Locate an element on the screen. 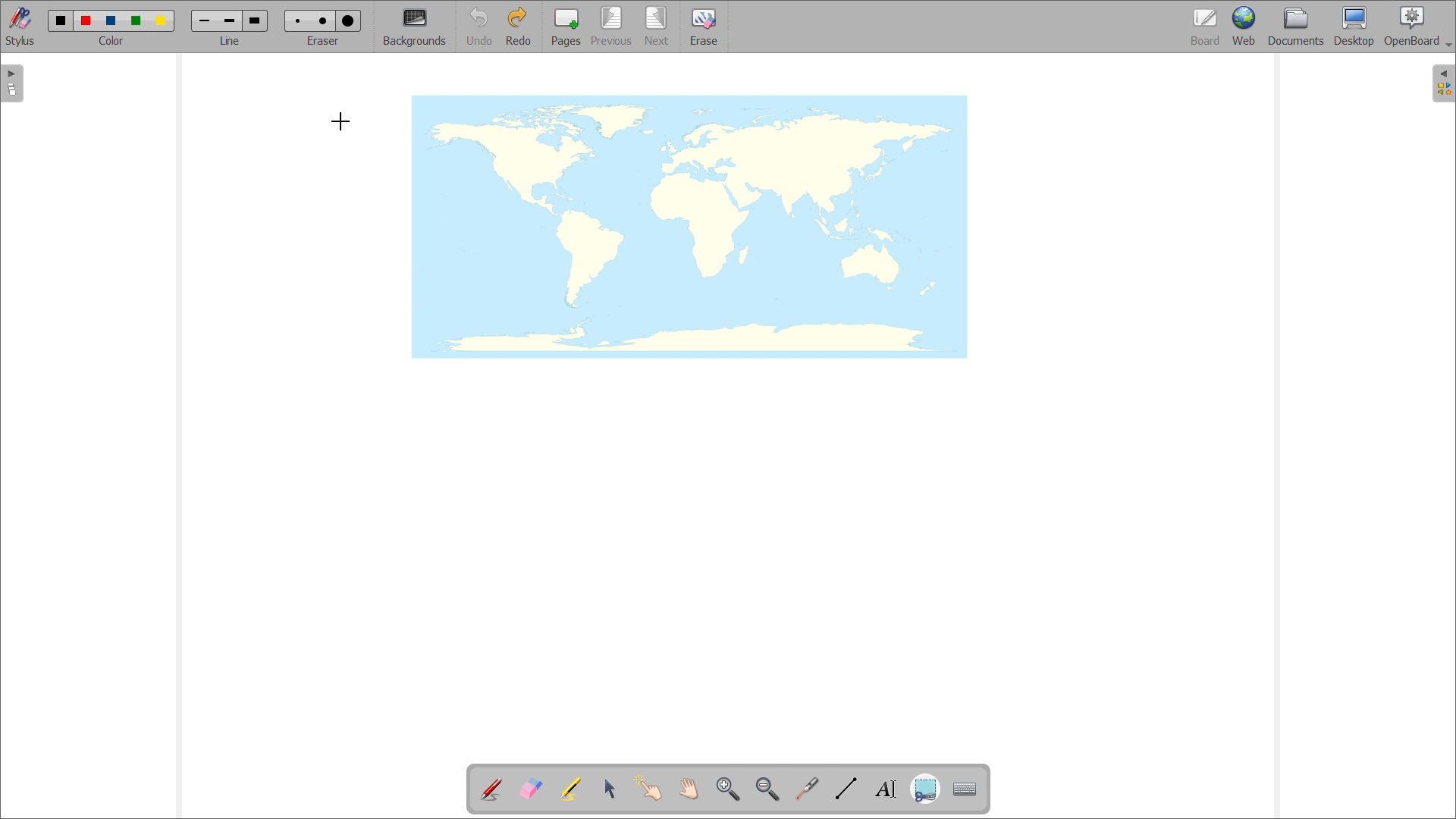 The width and height of the screenshot is (1456, 819). capture part of the screen is located at coordinates (925, 790).